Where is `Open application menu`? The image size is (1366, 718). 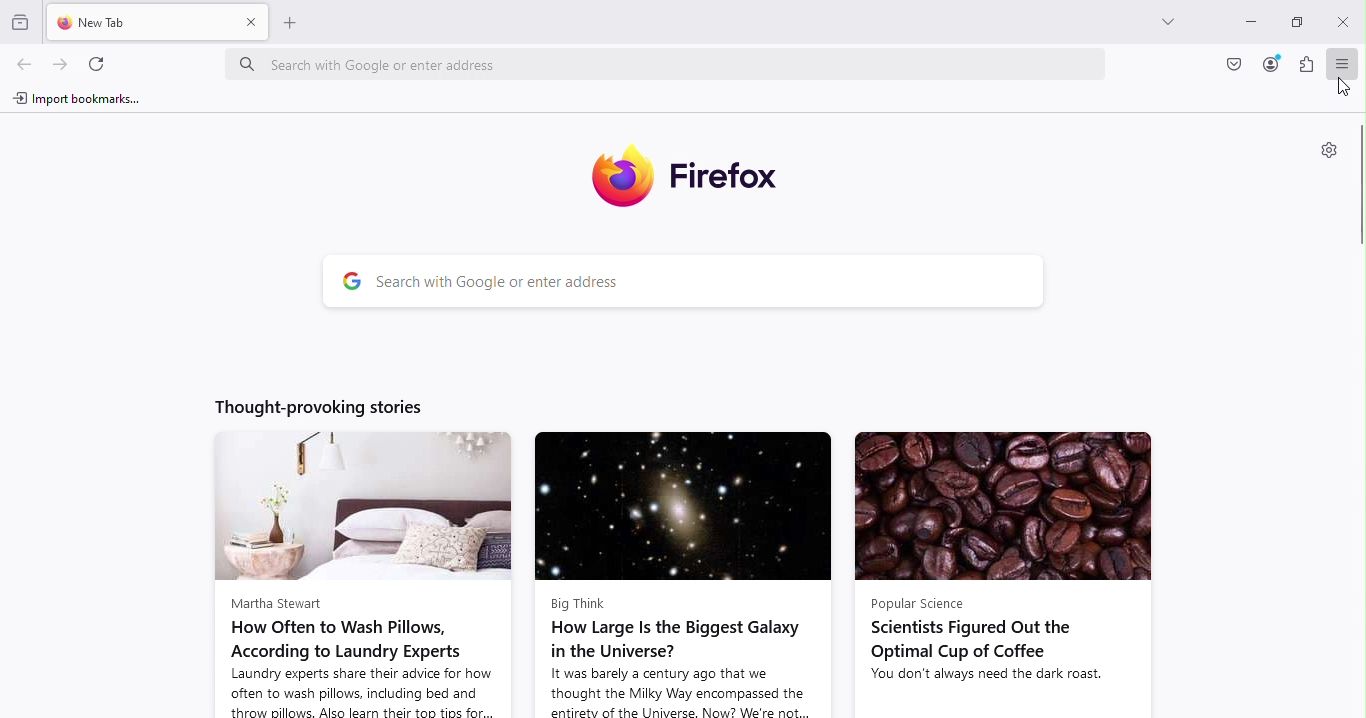 Open application menu is located at coordinates (1339, 62).